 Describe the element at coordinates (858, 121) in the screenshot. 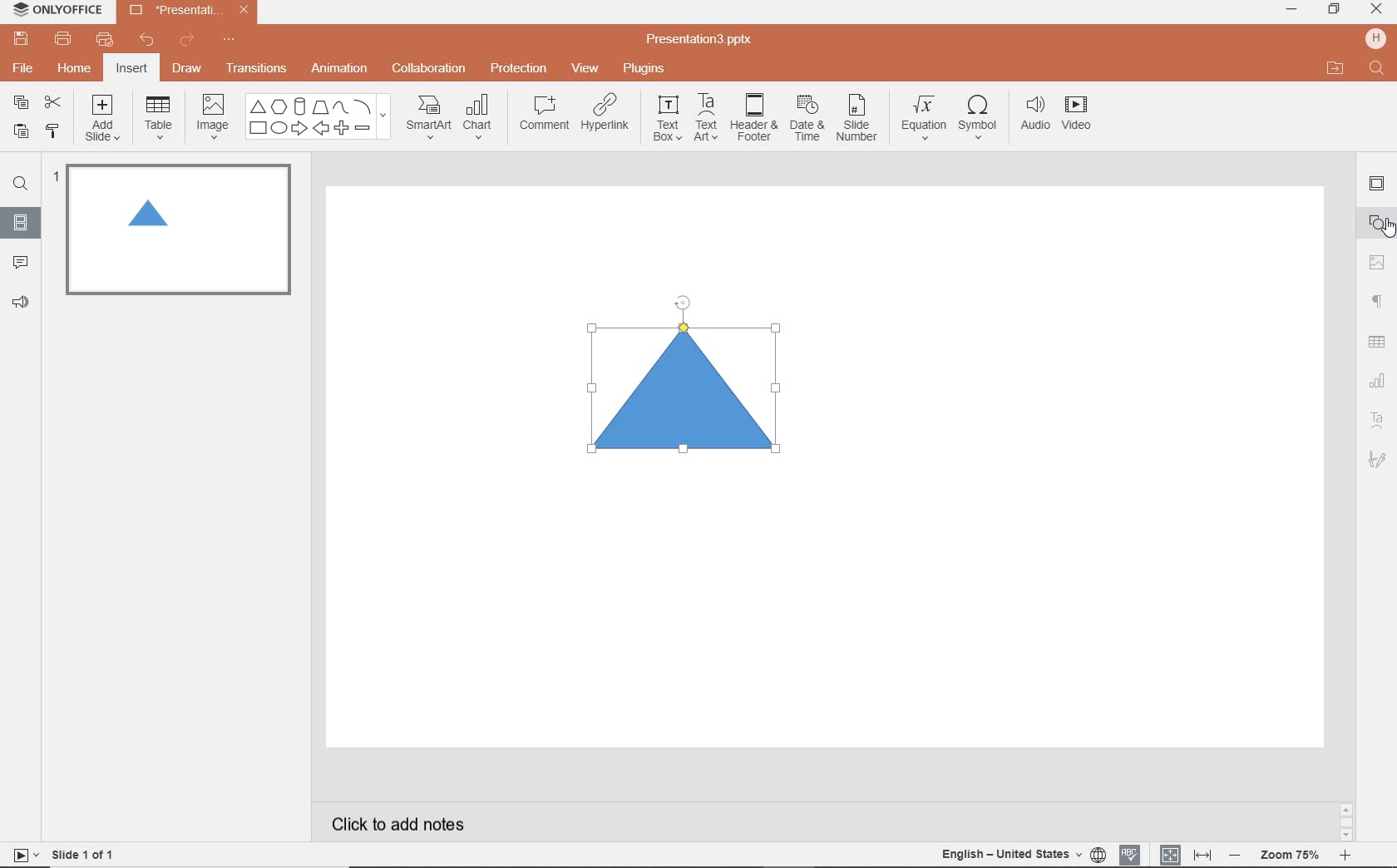

I see `SLIDE NUMBER` at that location.